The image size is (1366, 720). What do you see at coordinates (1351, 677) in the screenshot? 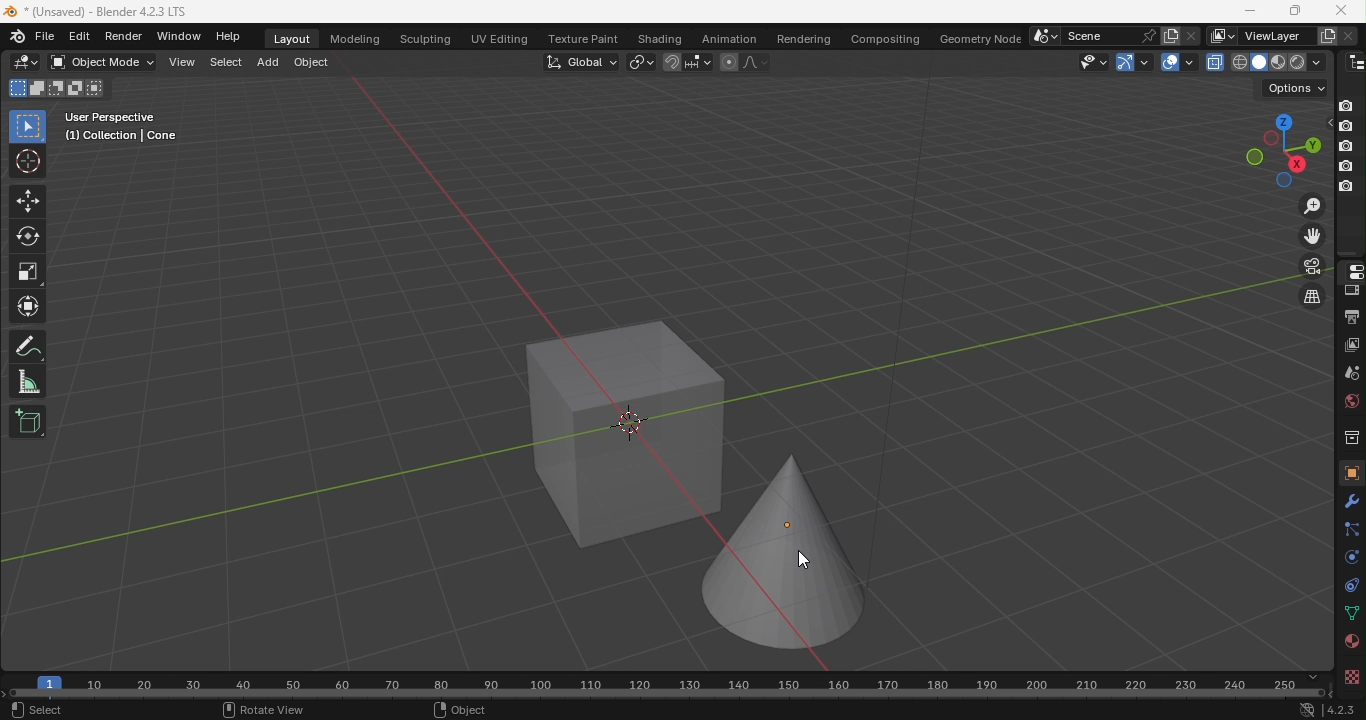
I see `Texture` at bounding box center [1351, 677].